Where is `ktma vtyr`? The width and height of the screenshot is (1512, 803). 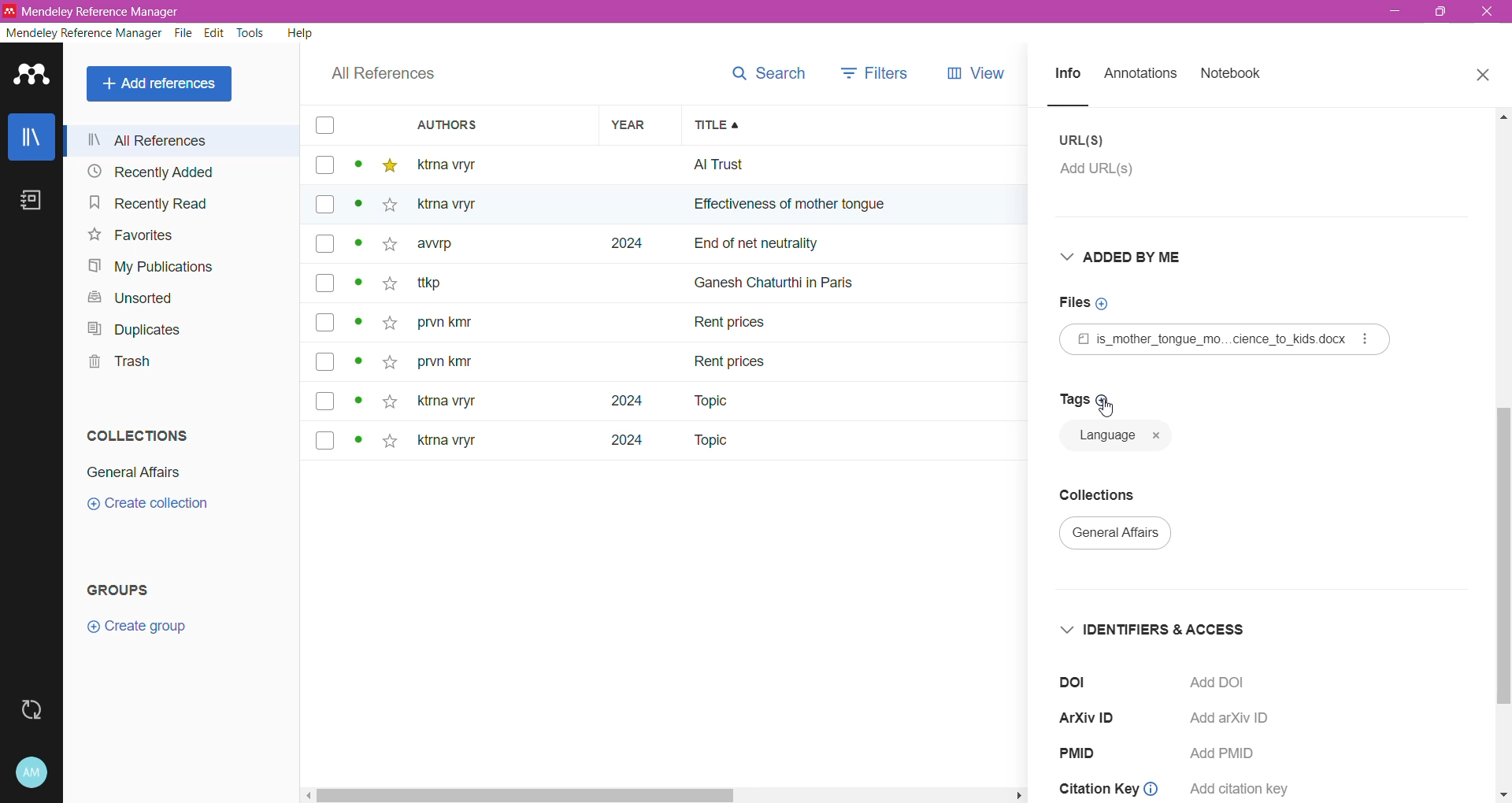 ktma vtyr is located at coordinates (458, 164).